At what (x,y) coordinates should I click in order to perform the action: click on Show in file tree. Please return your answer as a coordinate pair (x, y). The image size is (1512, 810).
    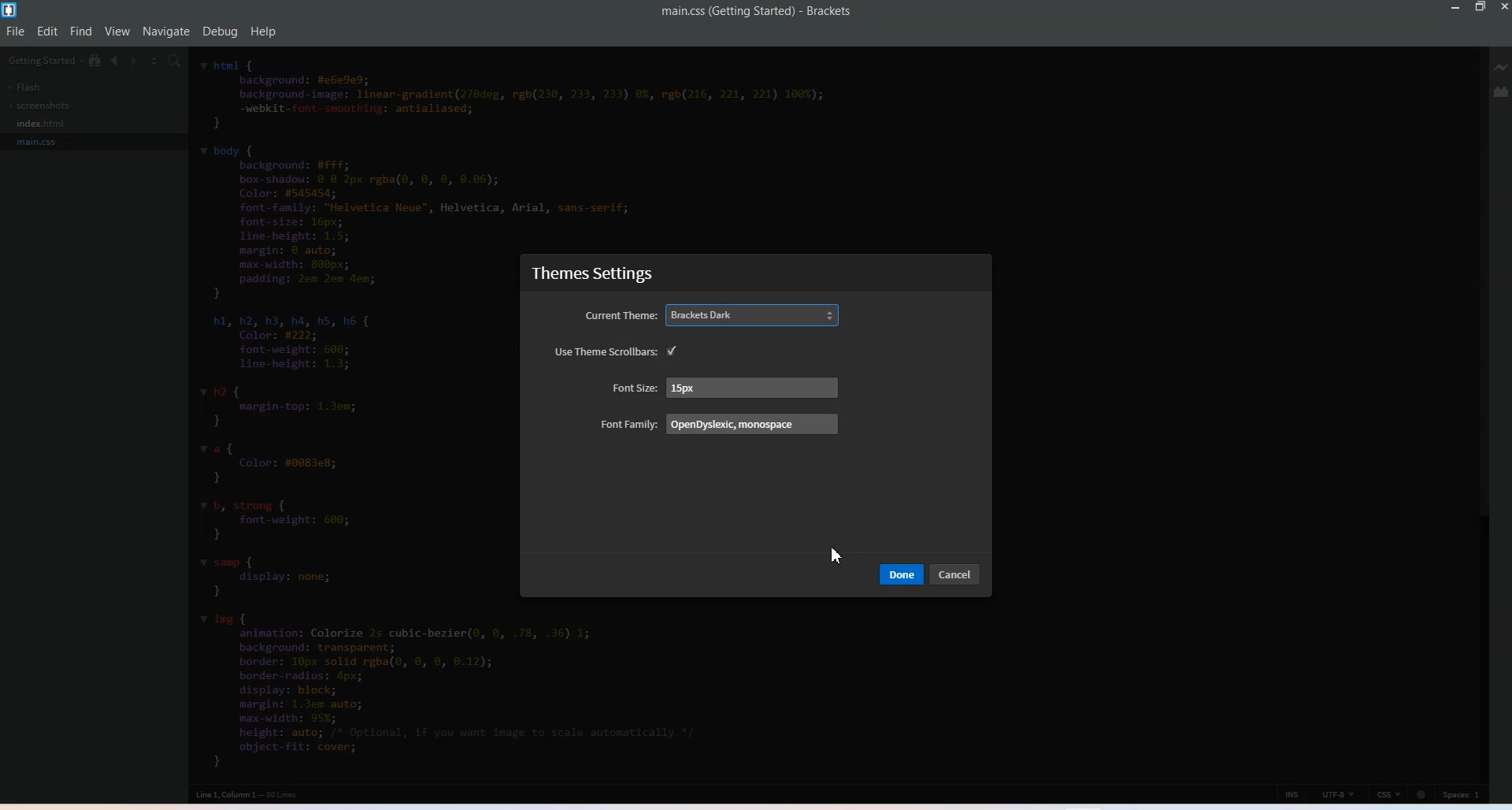
    Looking at the image, I should click on (95, 61).